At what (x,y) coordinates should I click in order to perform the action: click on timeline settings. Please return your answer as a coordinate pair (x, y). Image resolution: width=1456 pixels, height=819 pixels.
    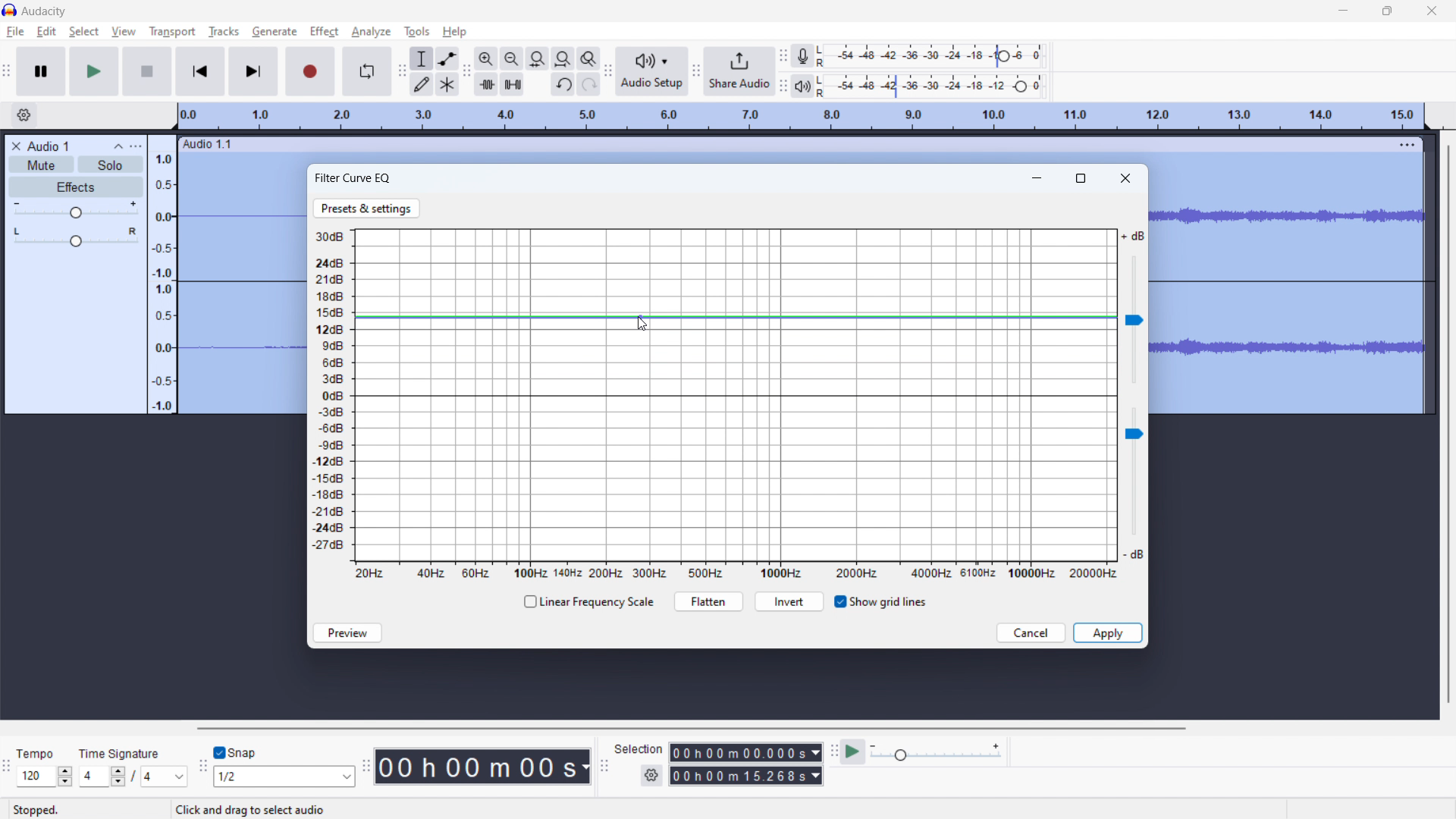
    Looking at the image, I should click on (24, 115).